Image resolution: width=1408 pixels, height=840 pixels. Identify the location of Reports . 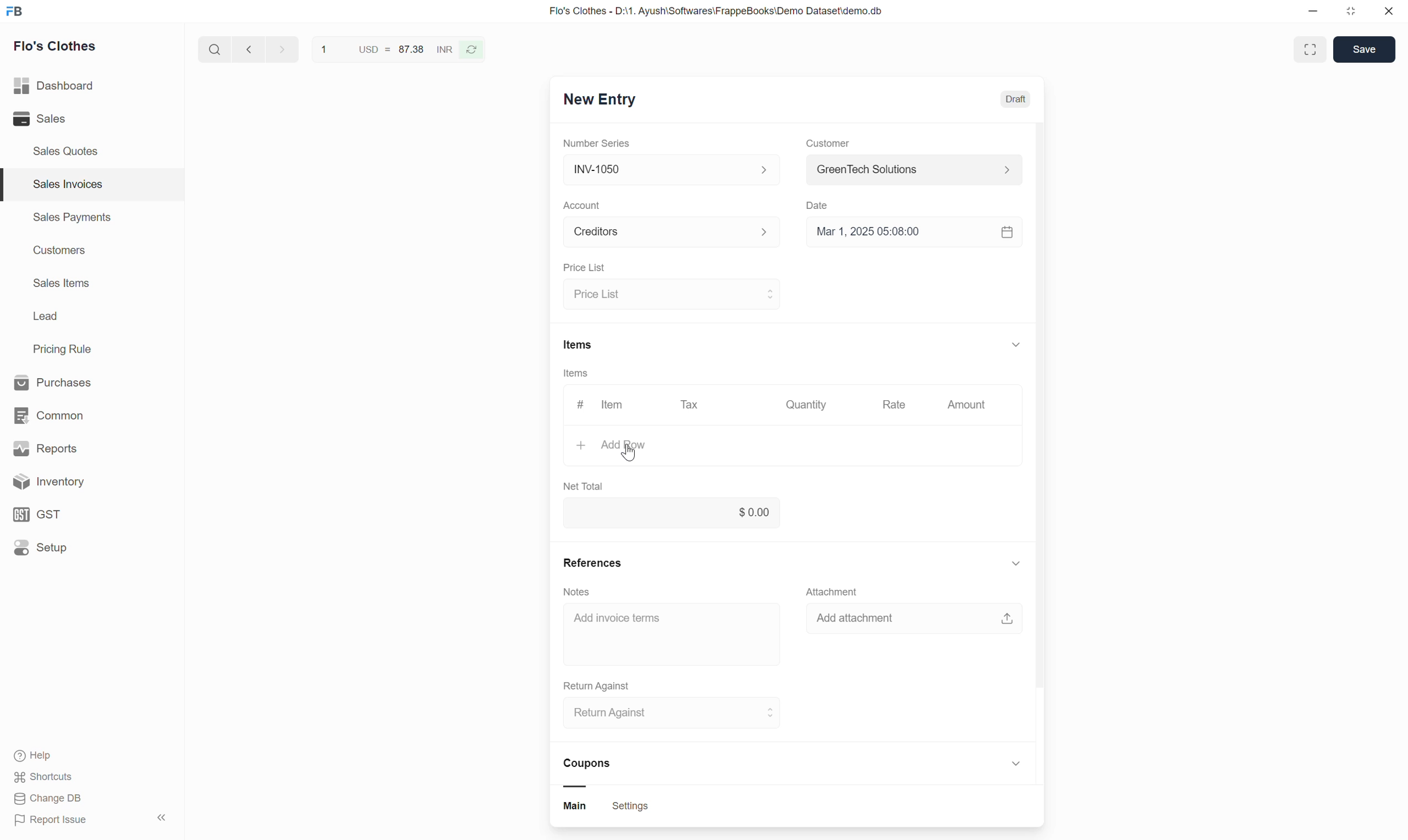
(76, 447).